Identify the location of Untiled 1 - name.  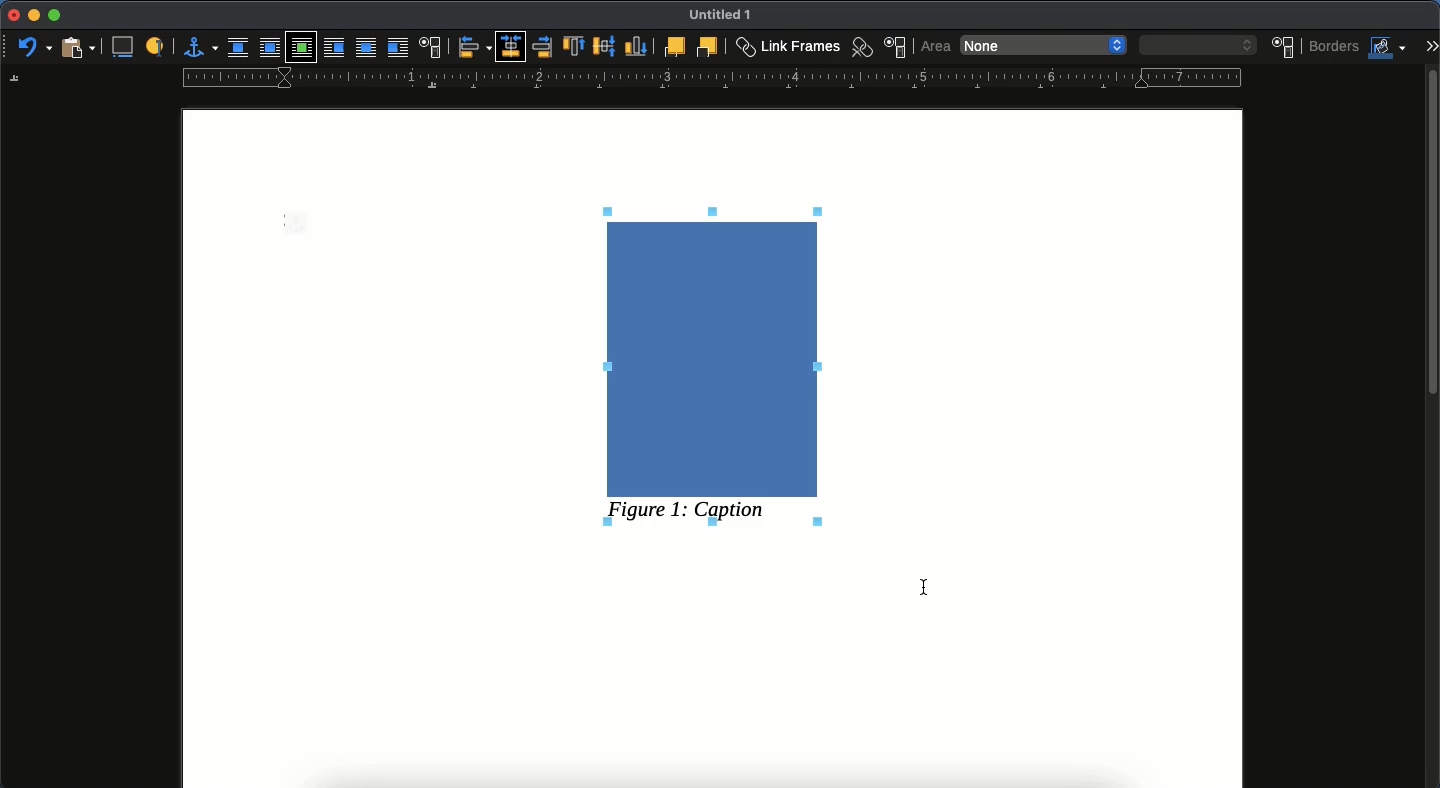
(723, 14).